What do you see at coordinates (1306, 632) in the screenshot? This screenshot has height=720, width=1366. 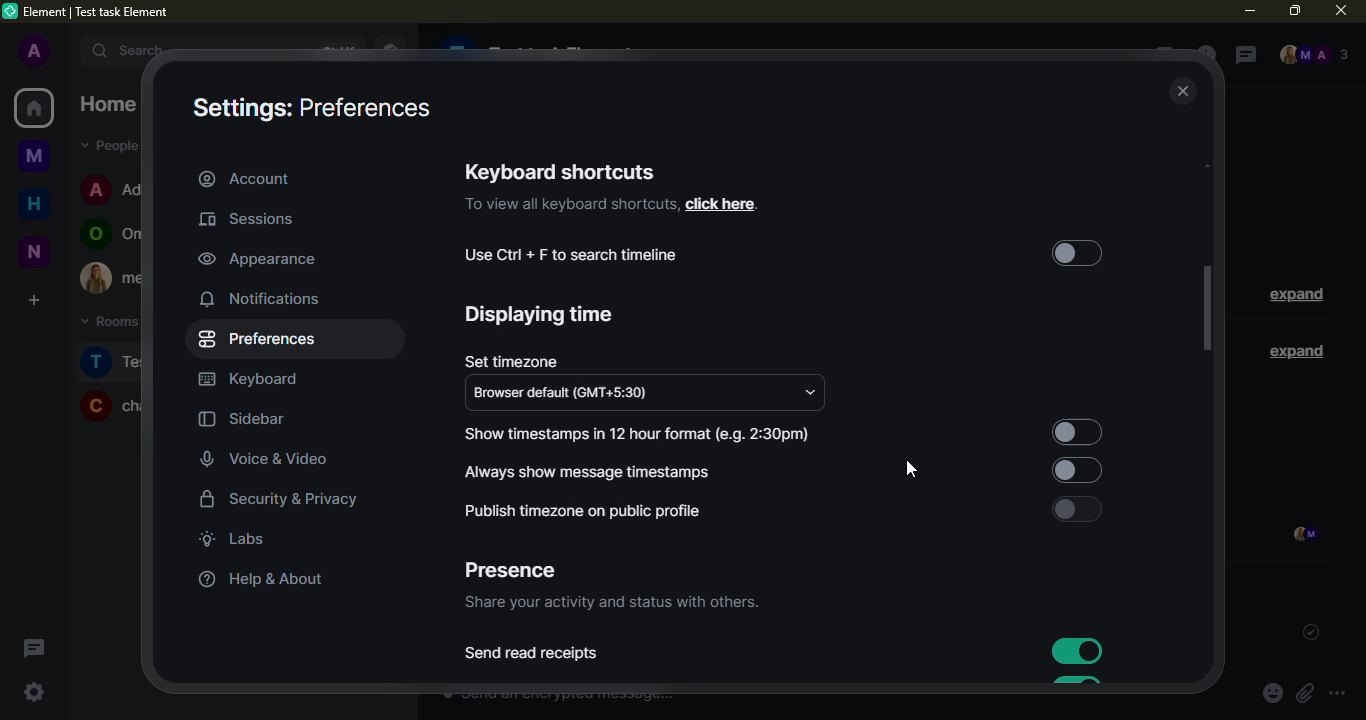 I see `sent` at bounding box center [1306, 632].